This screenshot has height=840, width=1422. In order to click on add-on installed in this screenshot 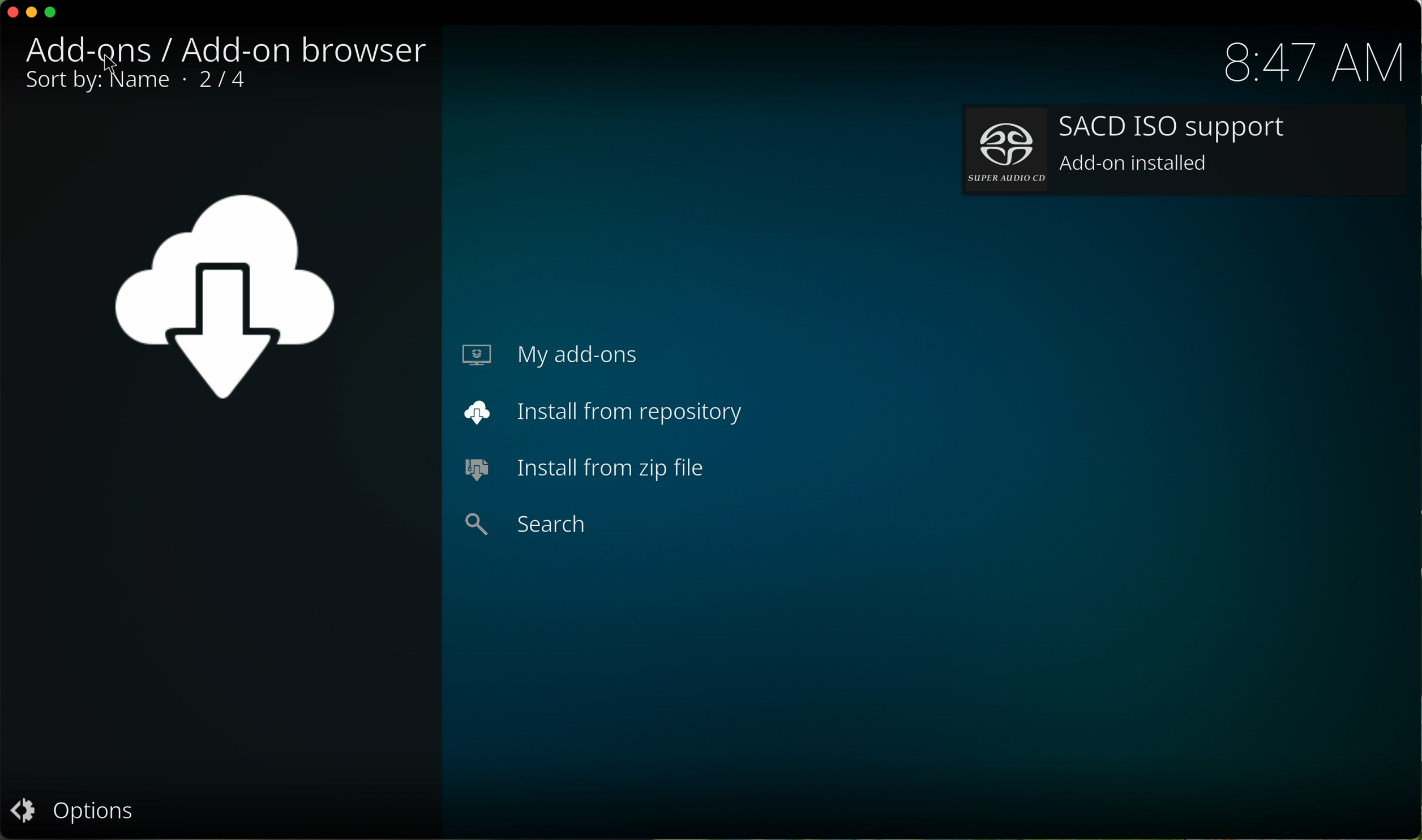, I will do `click(1193, 151)`.